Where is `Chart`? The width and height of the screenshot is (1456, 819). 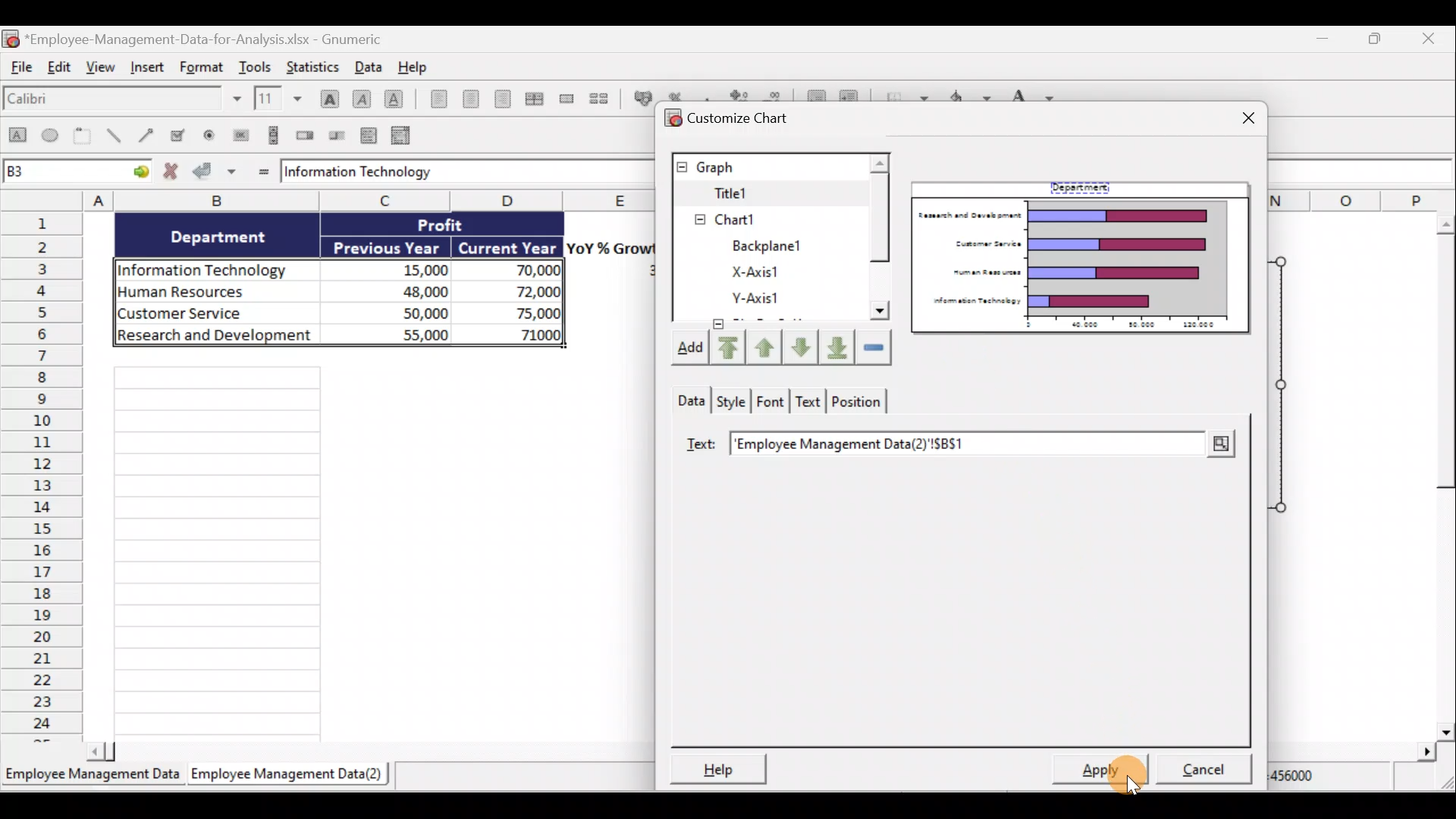 Chart is located at coordinates (761, 193).